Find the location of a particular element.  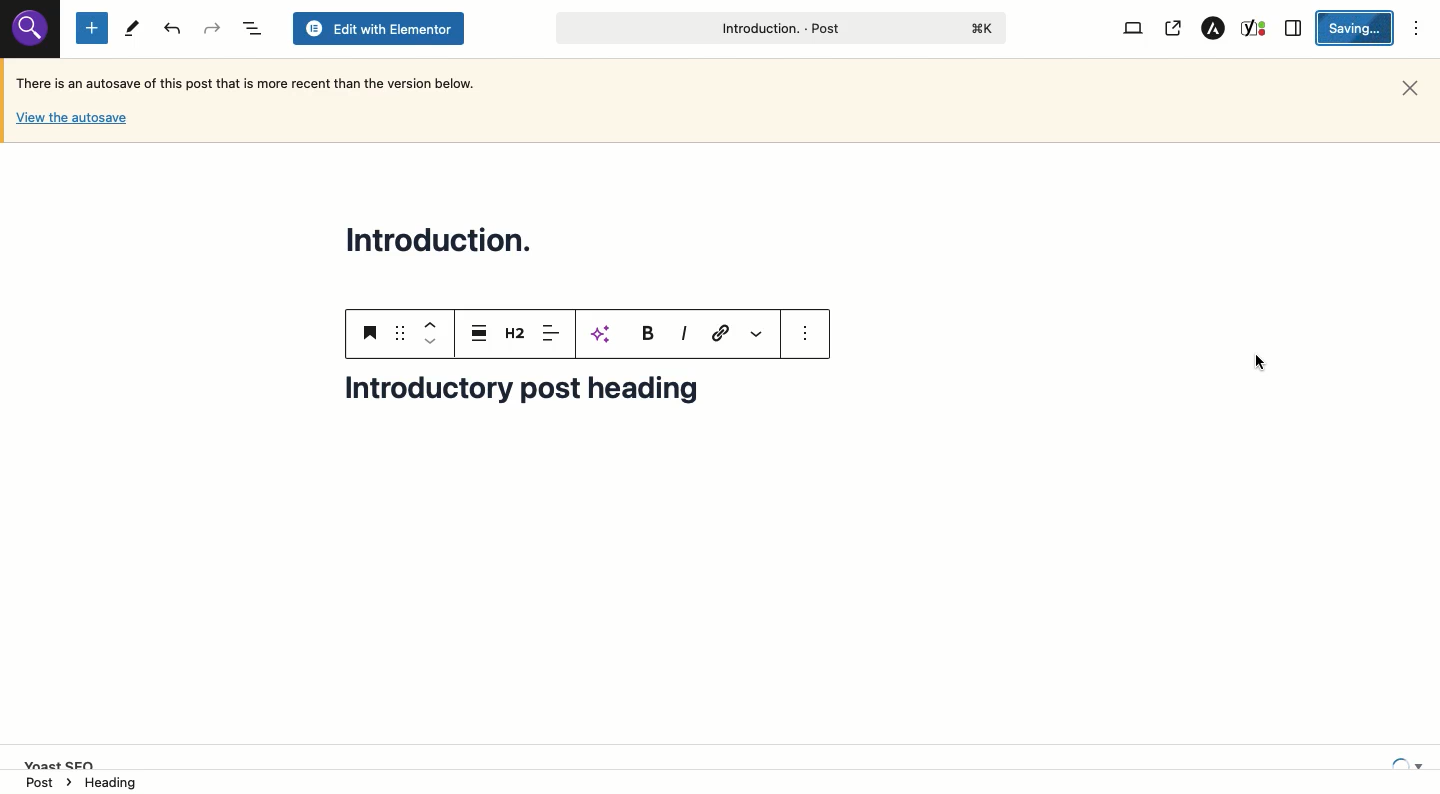

Align is located at coordinates (552, 335).